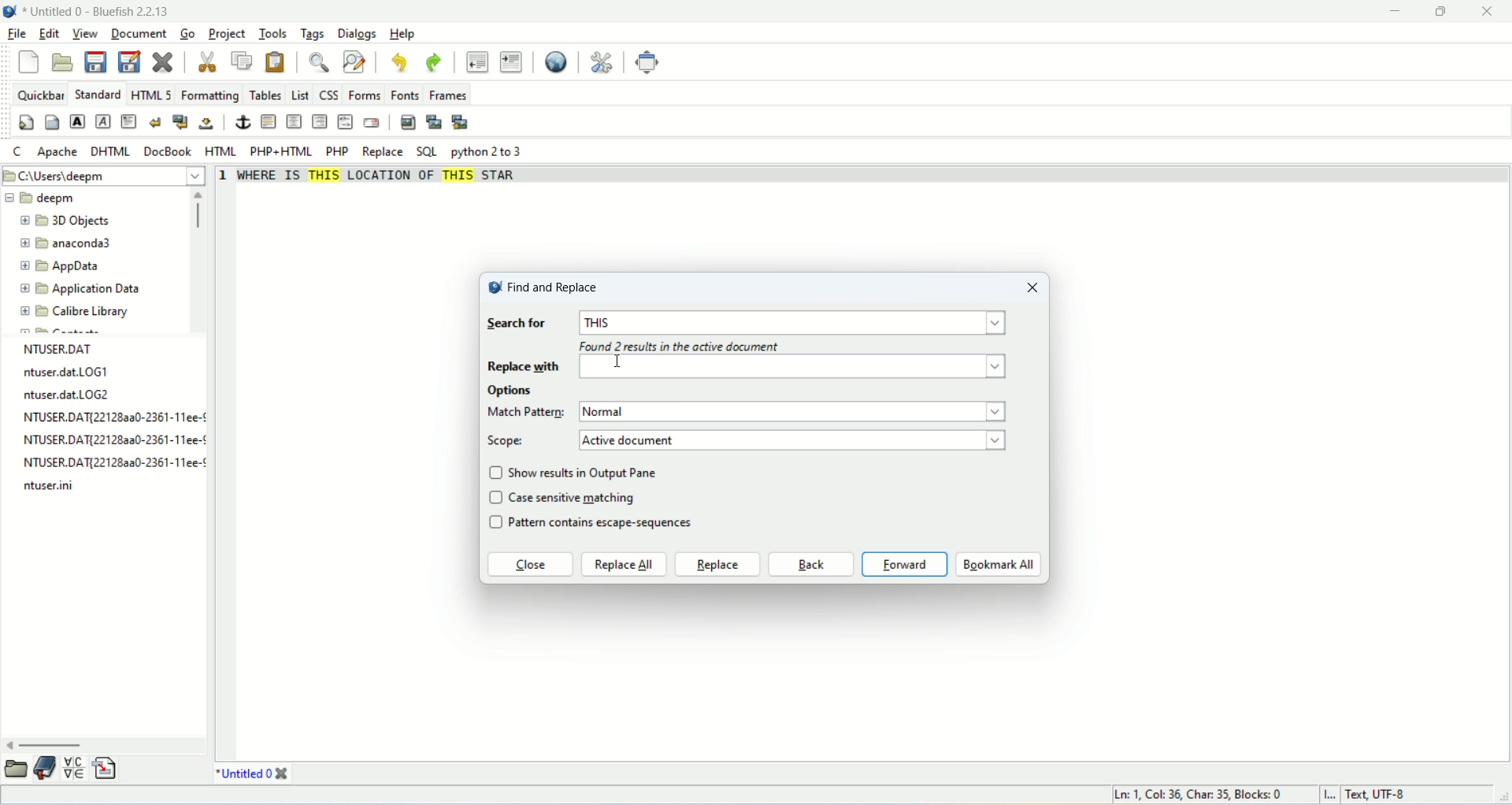  I want to click on snippet, so click(103, 769).